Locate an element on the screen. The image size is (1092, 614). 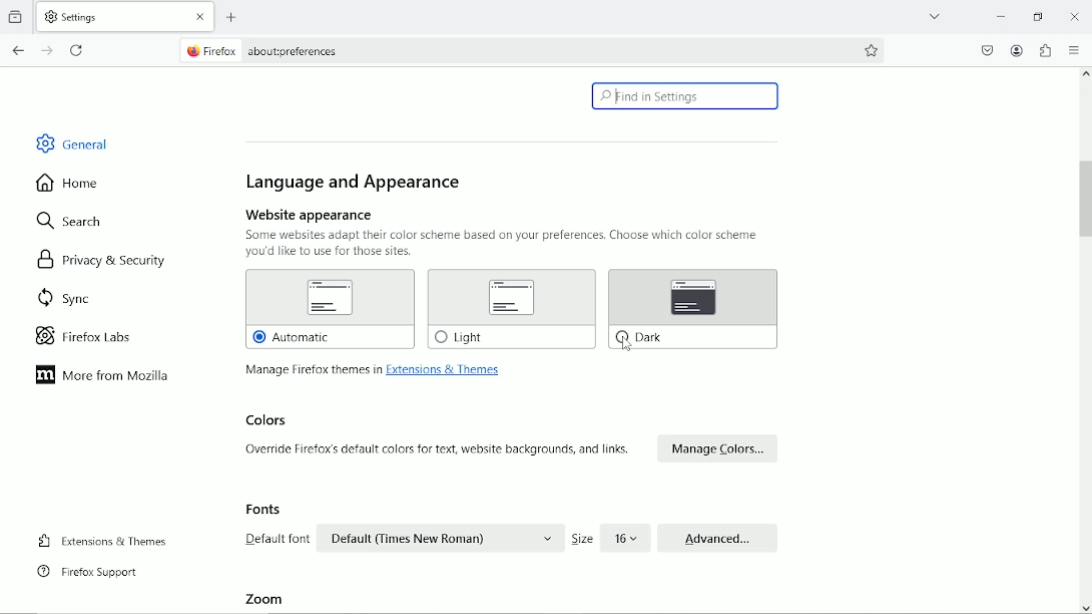
colors is located at coordinates (512, 438).